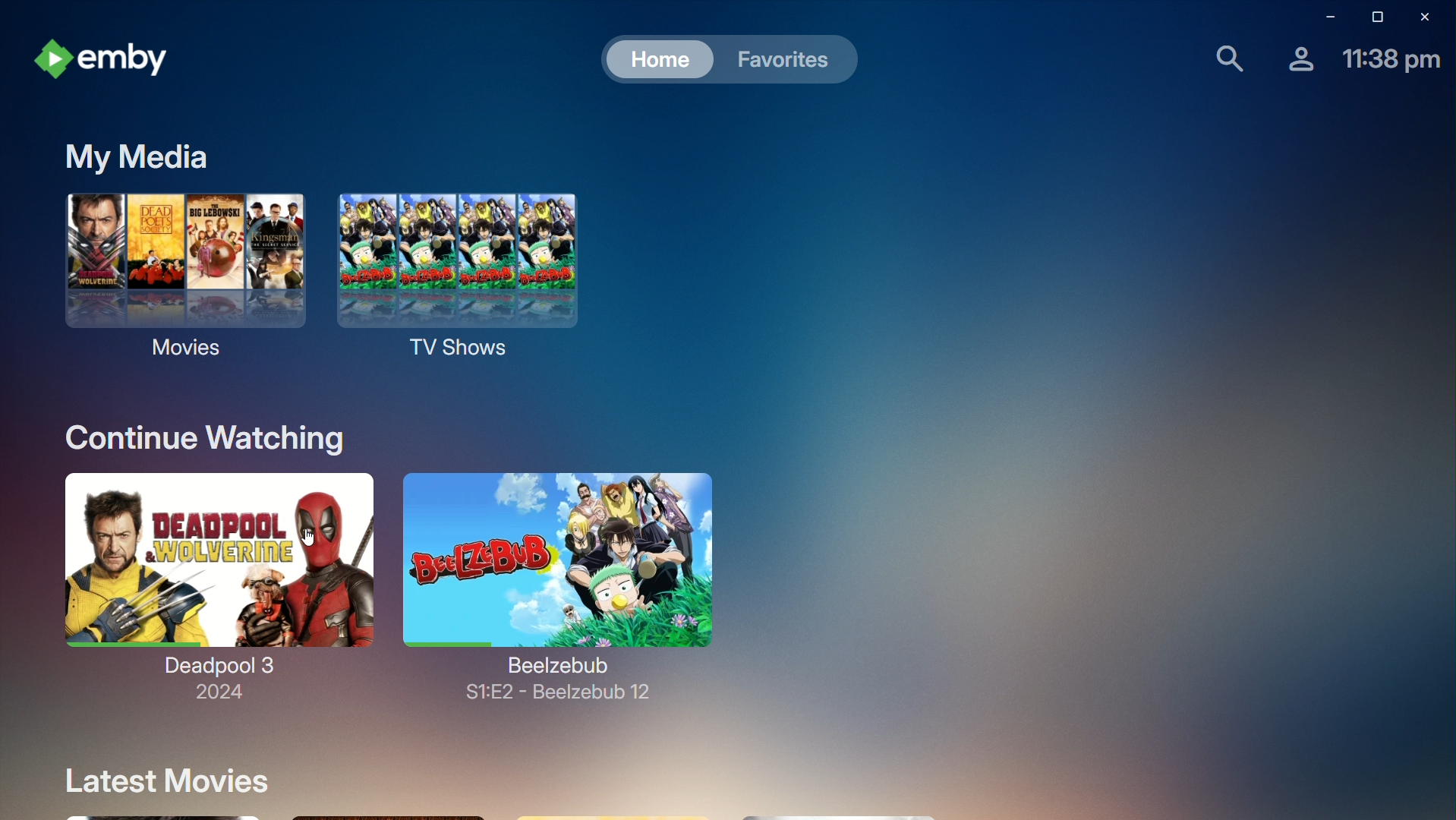 Image resolution: width=1456 pixels, height=820 pixels. Describe the element at coordinates (463, 274) in the screenshot. I see `TV Shows` at that location.